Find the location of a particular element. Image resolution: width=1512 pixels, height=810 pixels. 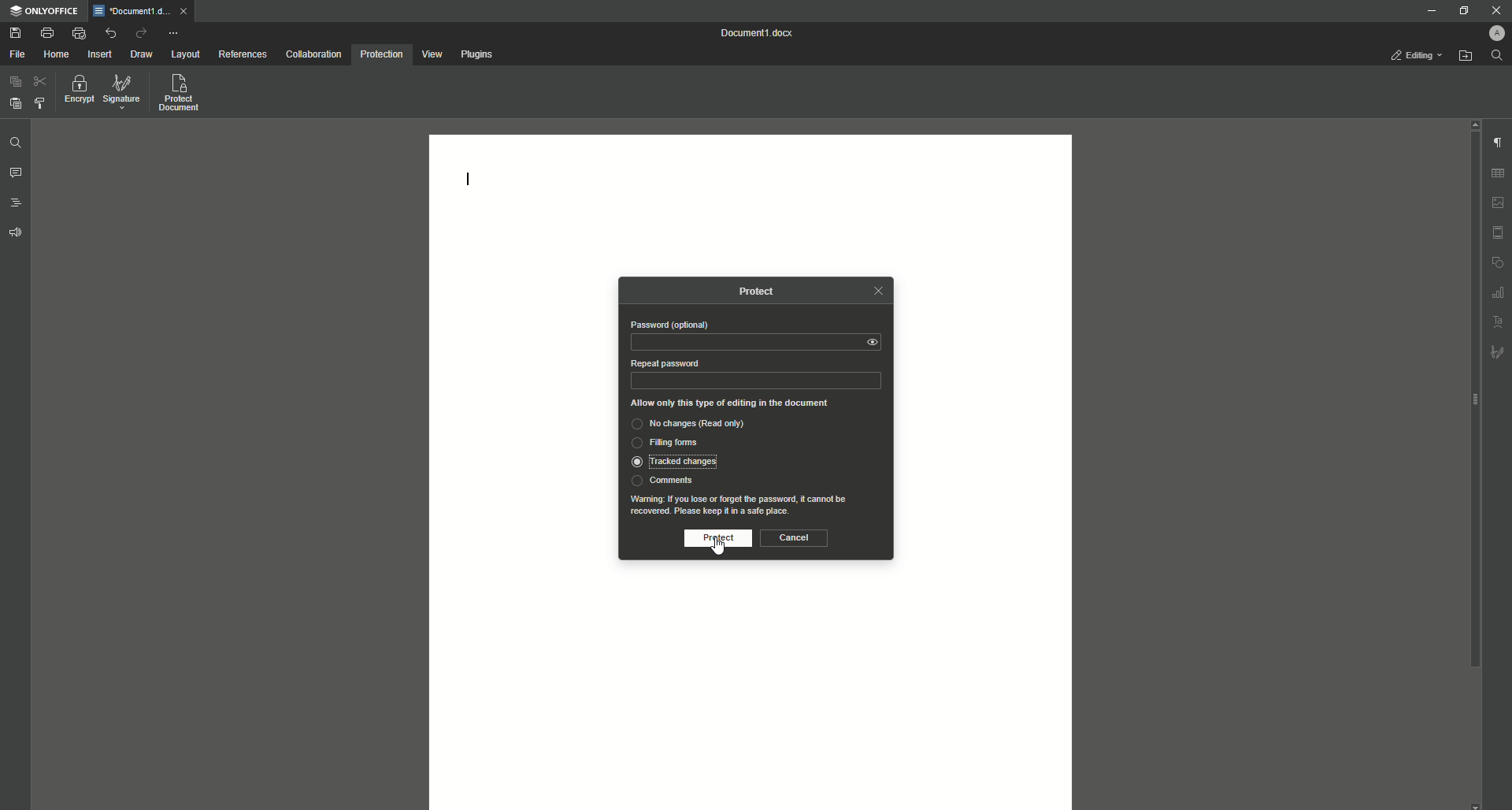

Profile is located at coordinates (1492, 33).